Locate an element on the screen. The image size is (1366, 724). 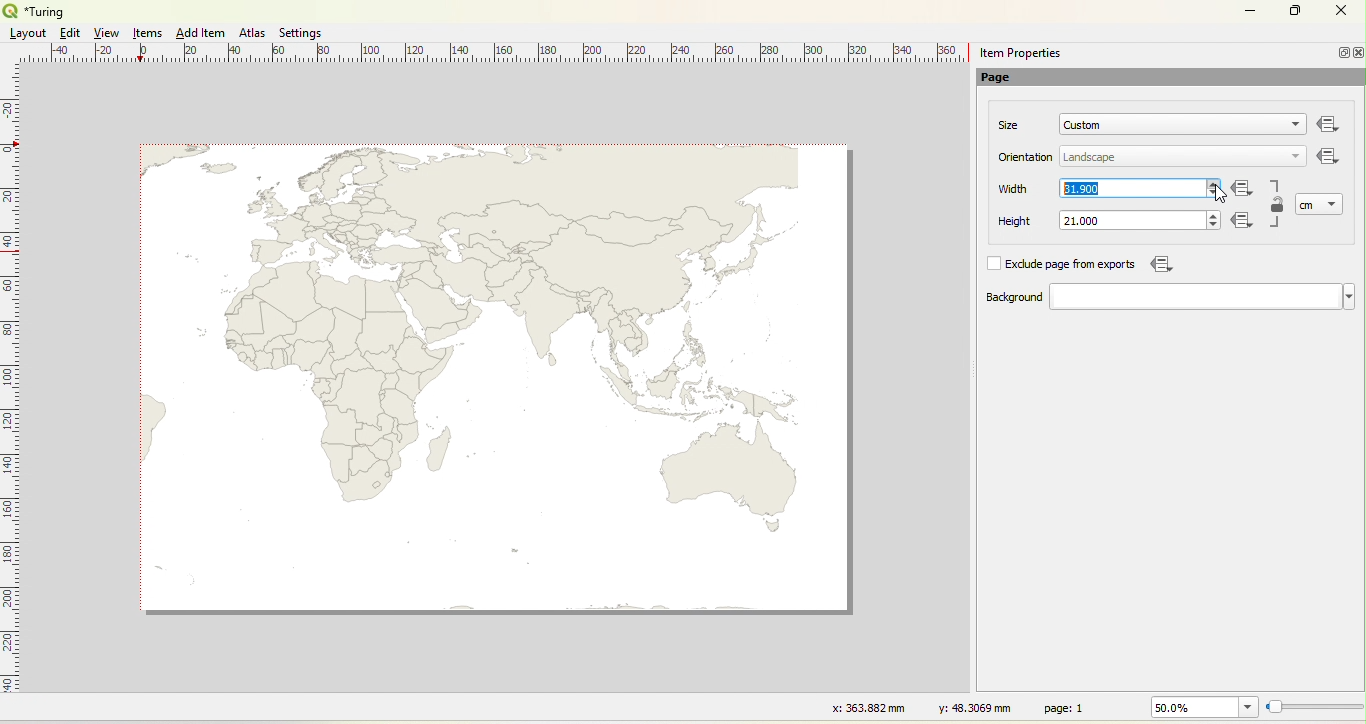
x: 363.882 mm is located at coordinates (866, 707).